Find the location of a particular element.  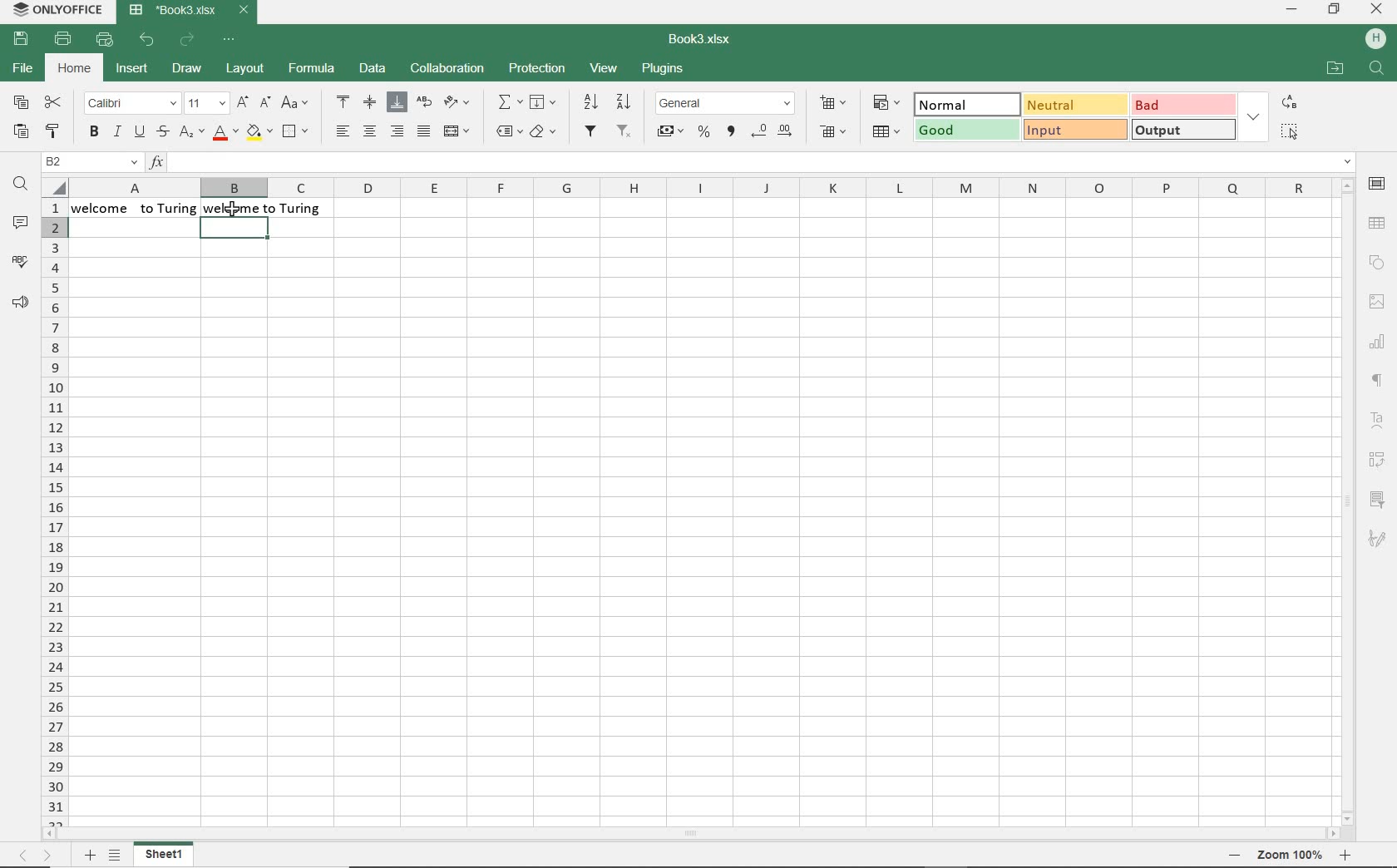

data is located at coordinates (370, 70).